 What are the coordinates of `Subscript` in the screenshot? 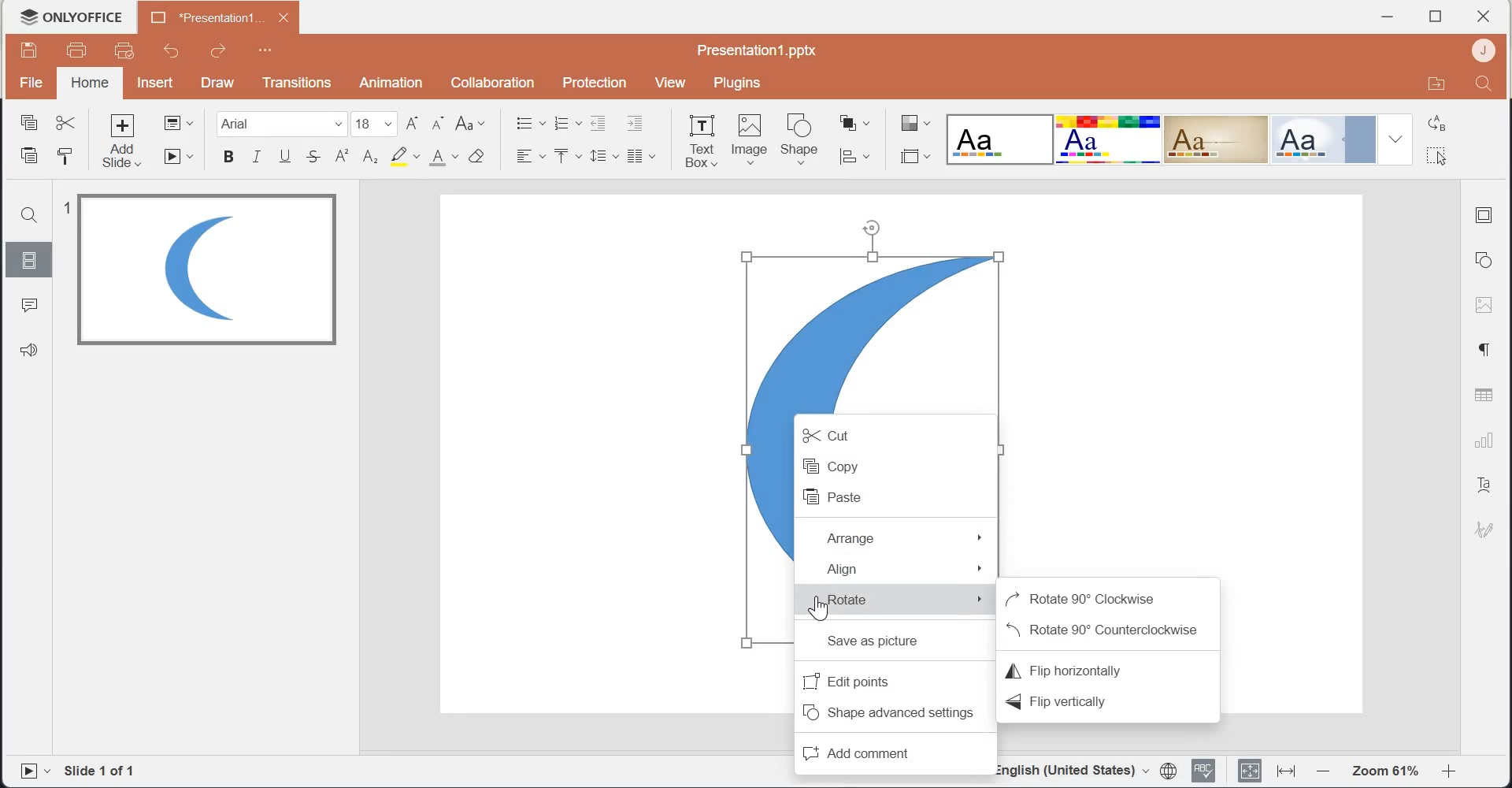 It's located at (369, 157).